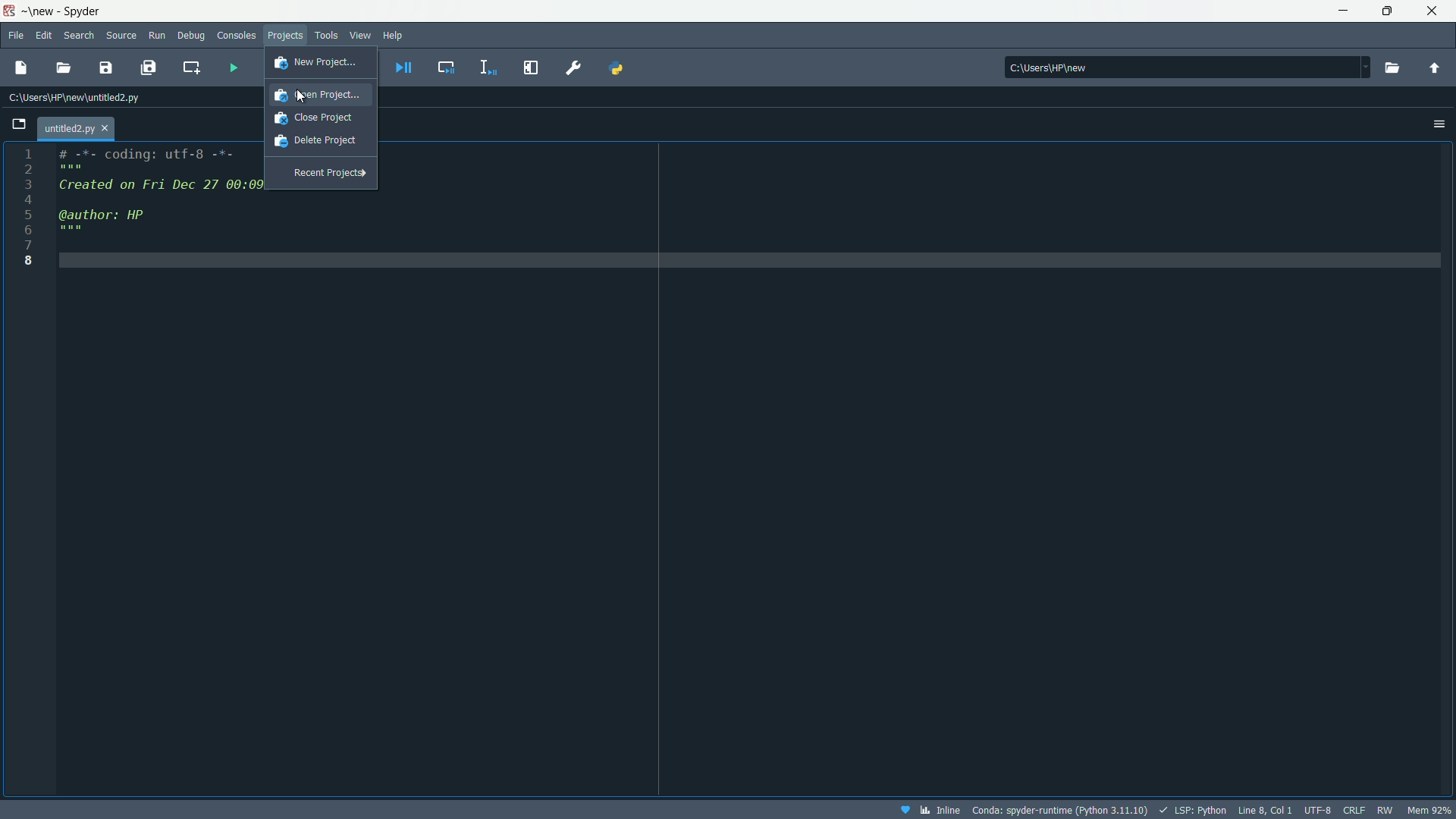 The image size is (1456, 819). Describe the element at coordinates (530, 67) in the screenshot. I see `Maximize current pane (Ctrl + Alt + Shift + M)` at that location.